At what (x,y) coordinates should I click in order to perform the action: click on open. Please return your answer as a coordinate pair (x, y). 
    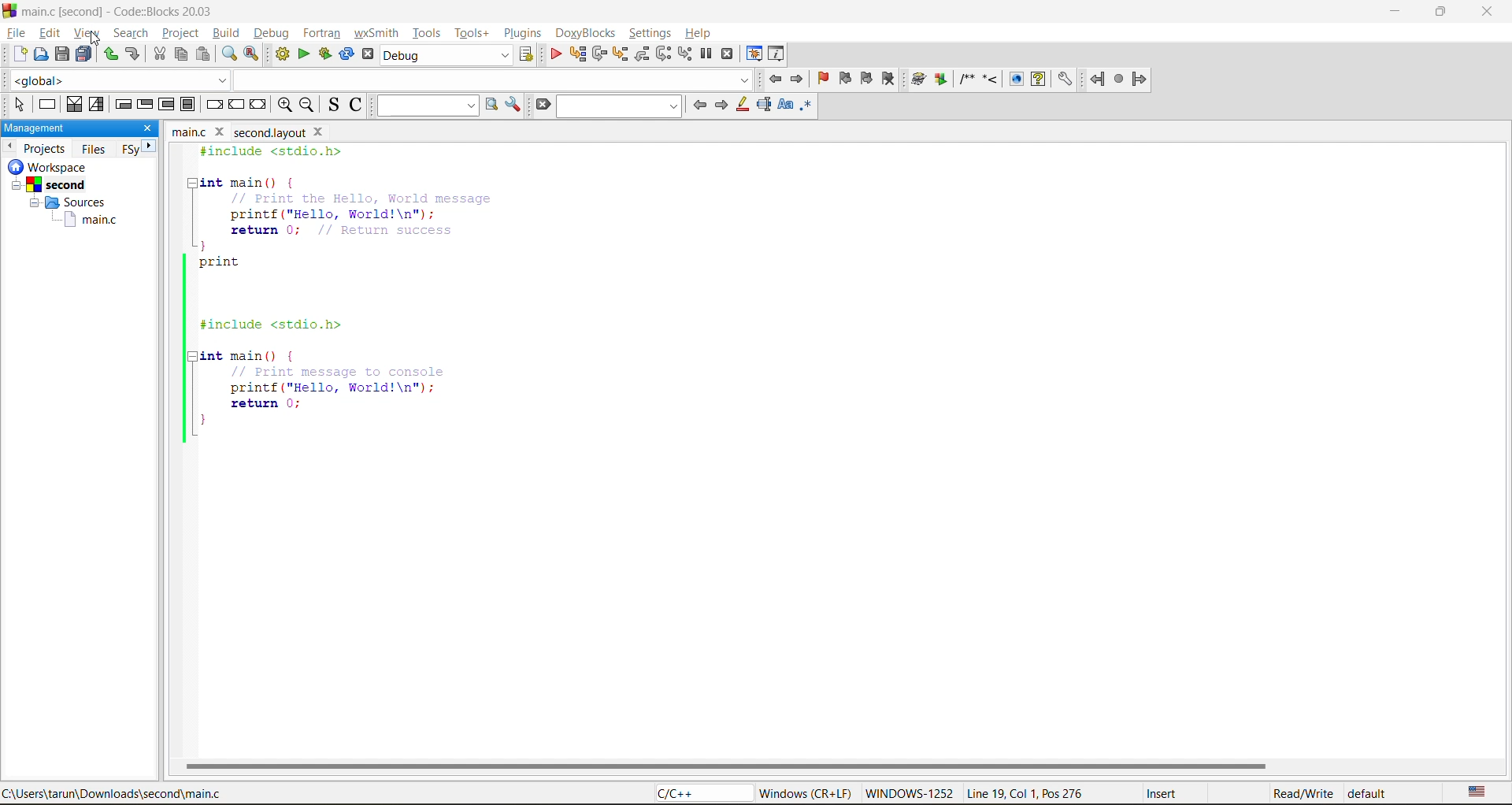
    Looking at the image, I should click on (38, 56).